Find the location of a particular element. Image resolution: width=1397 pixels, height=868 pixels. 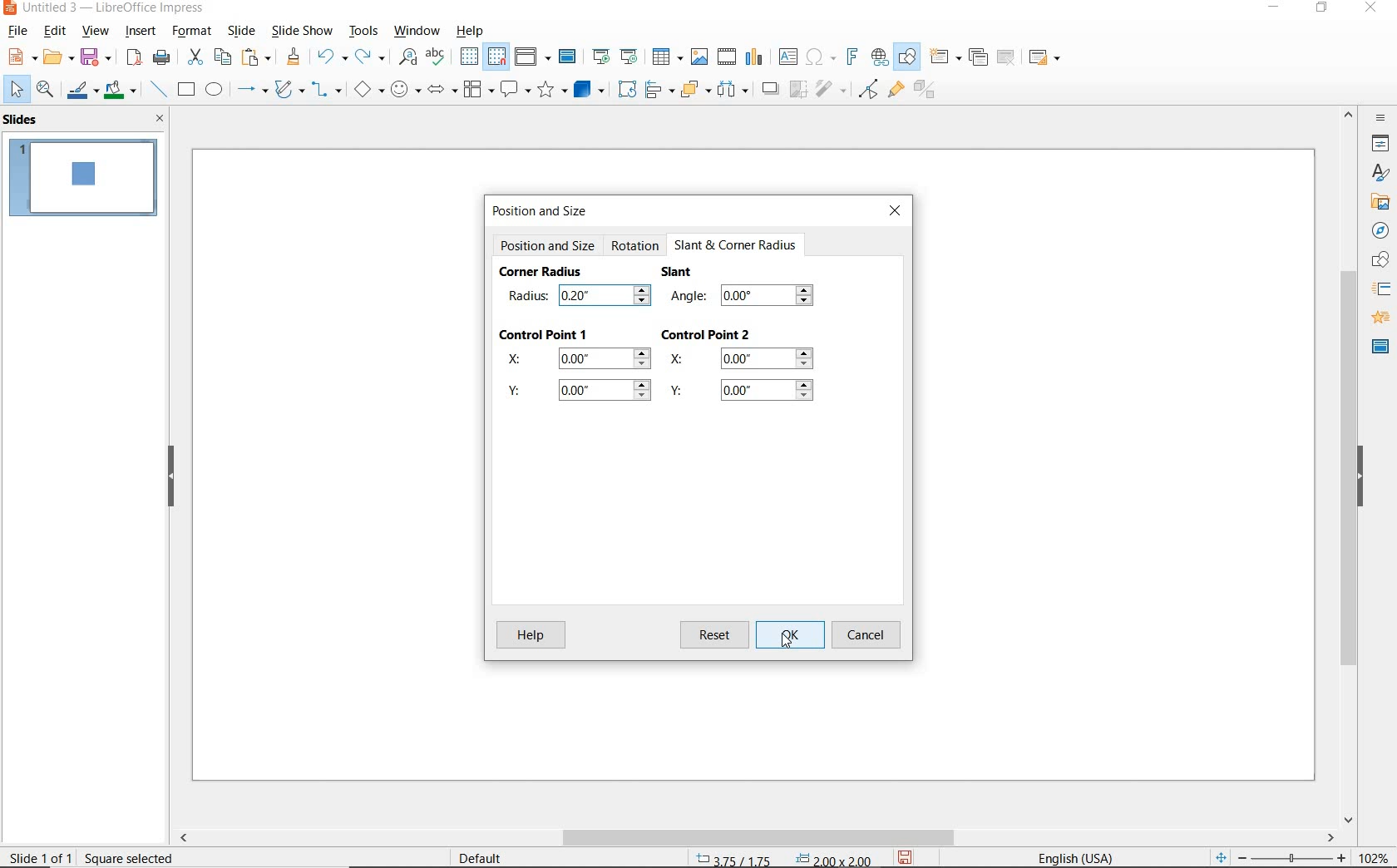

restore down is located at coordinates (1324, 10).